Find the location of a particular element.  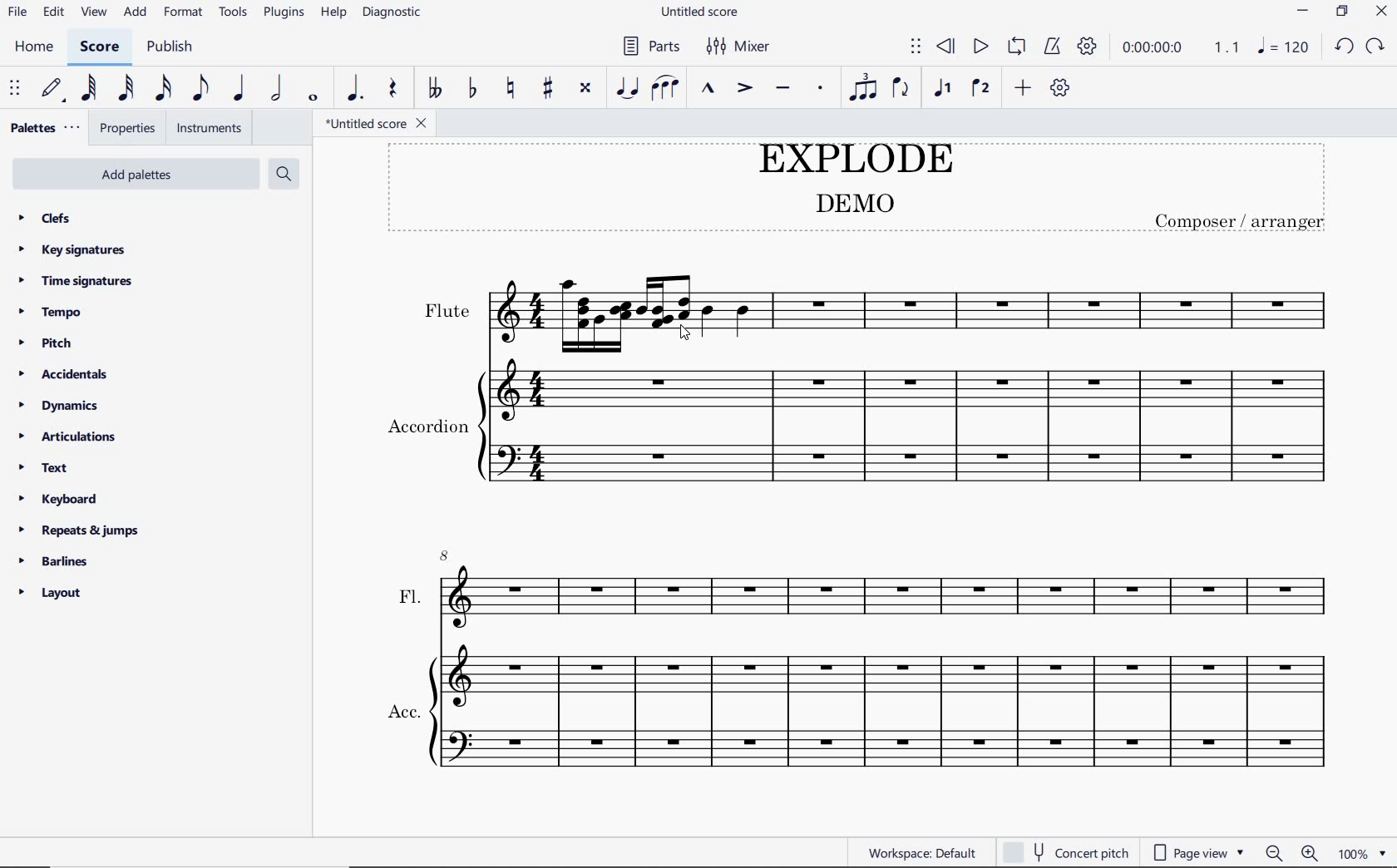

playback time is located at coordinates (1153, 48).